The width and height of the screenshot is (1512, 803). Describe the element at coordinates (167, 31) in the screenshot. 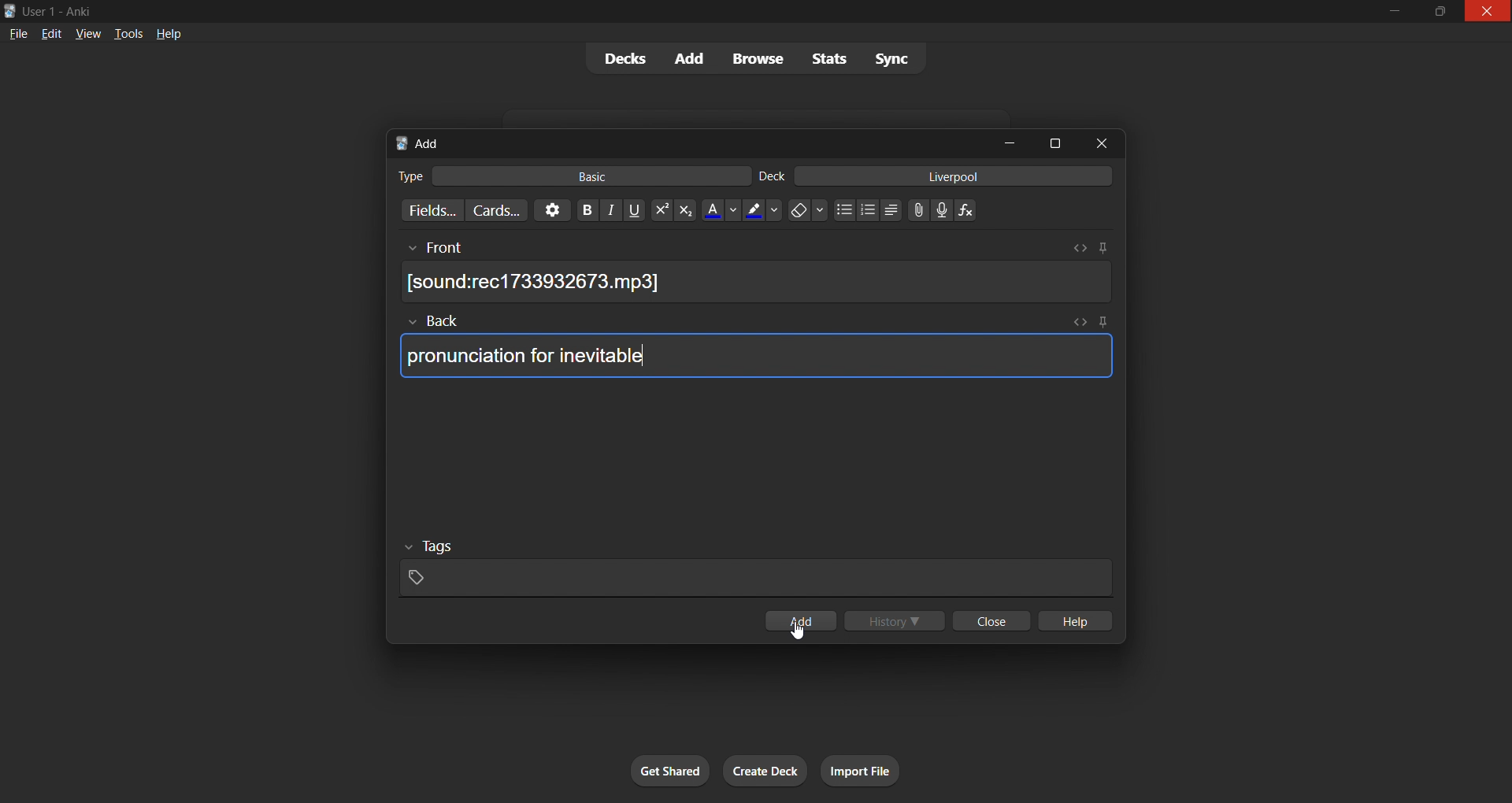

I see `help` at that location.